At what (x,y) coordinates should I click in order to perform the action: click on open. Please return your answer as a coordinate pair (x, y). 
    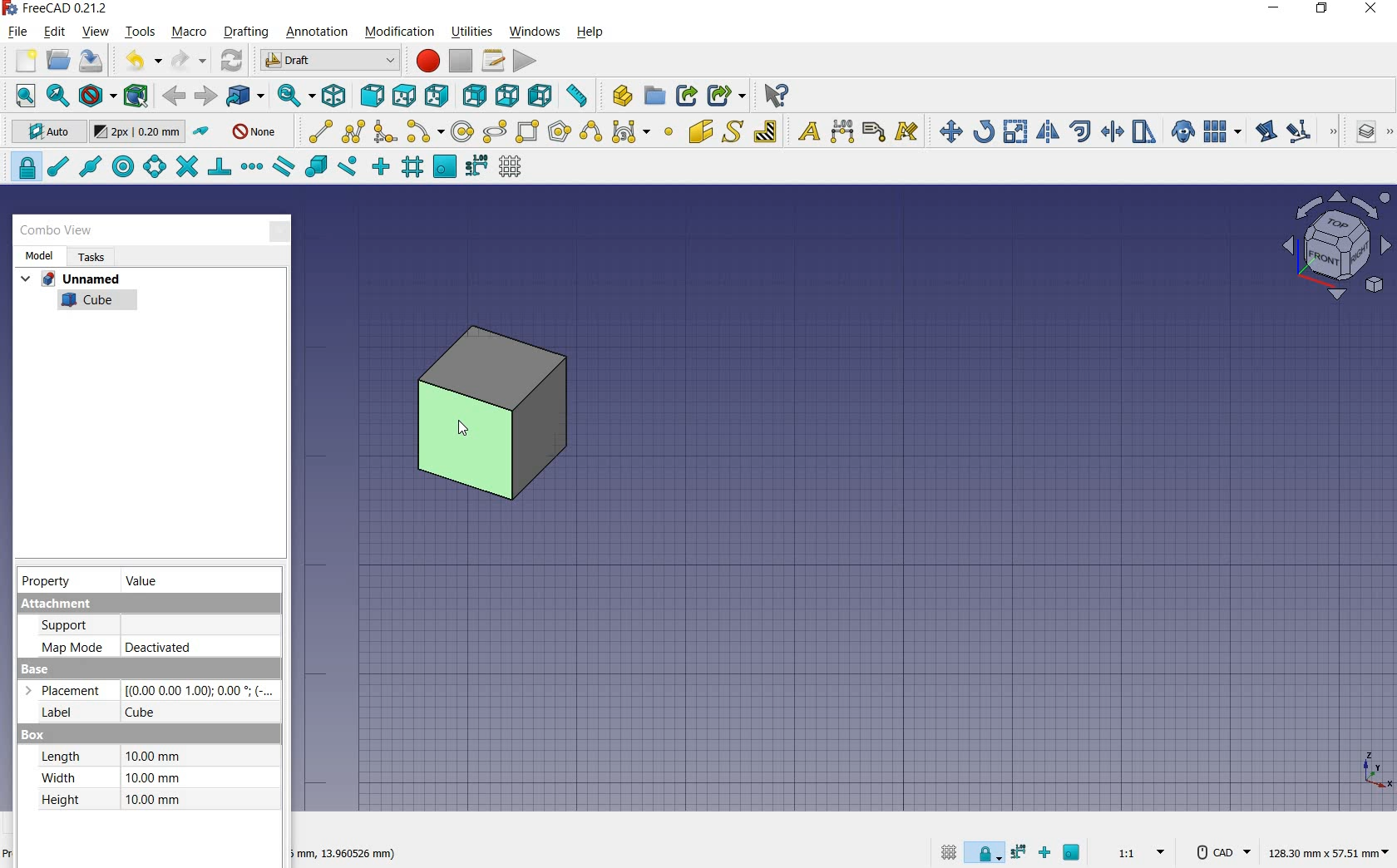
    Looking at the image, I should click on (61, 61).